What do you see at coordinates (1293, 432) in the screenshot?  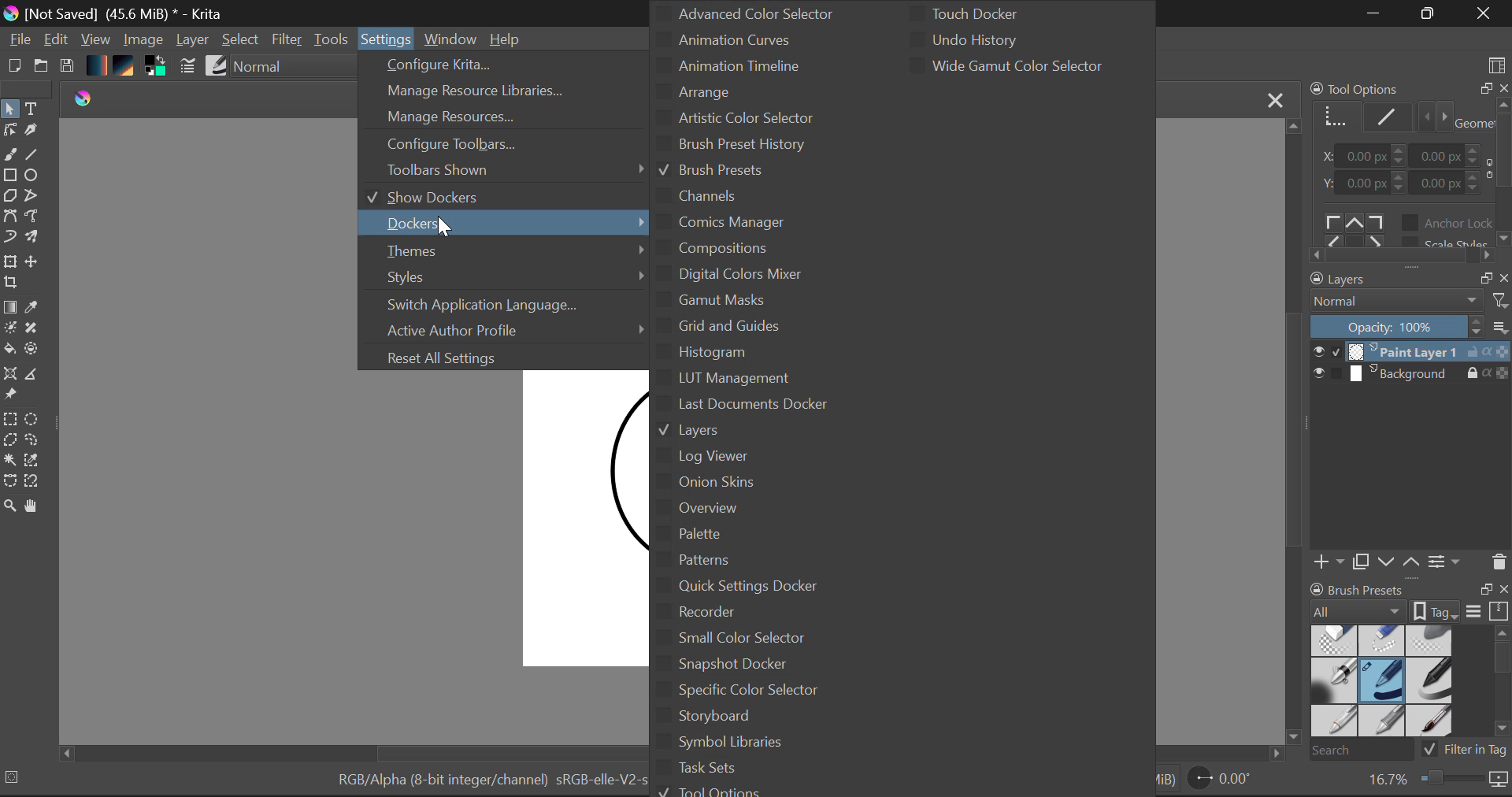 I see `Scroll Bar` at bounding box center [1293, 432].